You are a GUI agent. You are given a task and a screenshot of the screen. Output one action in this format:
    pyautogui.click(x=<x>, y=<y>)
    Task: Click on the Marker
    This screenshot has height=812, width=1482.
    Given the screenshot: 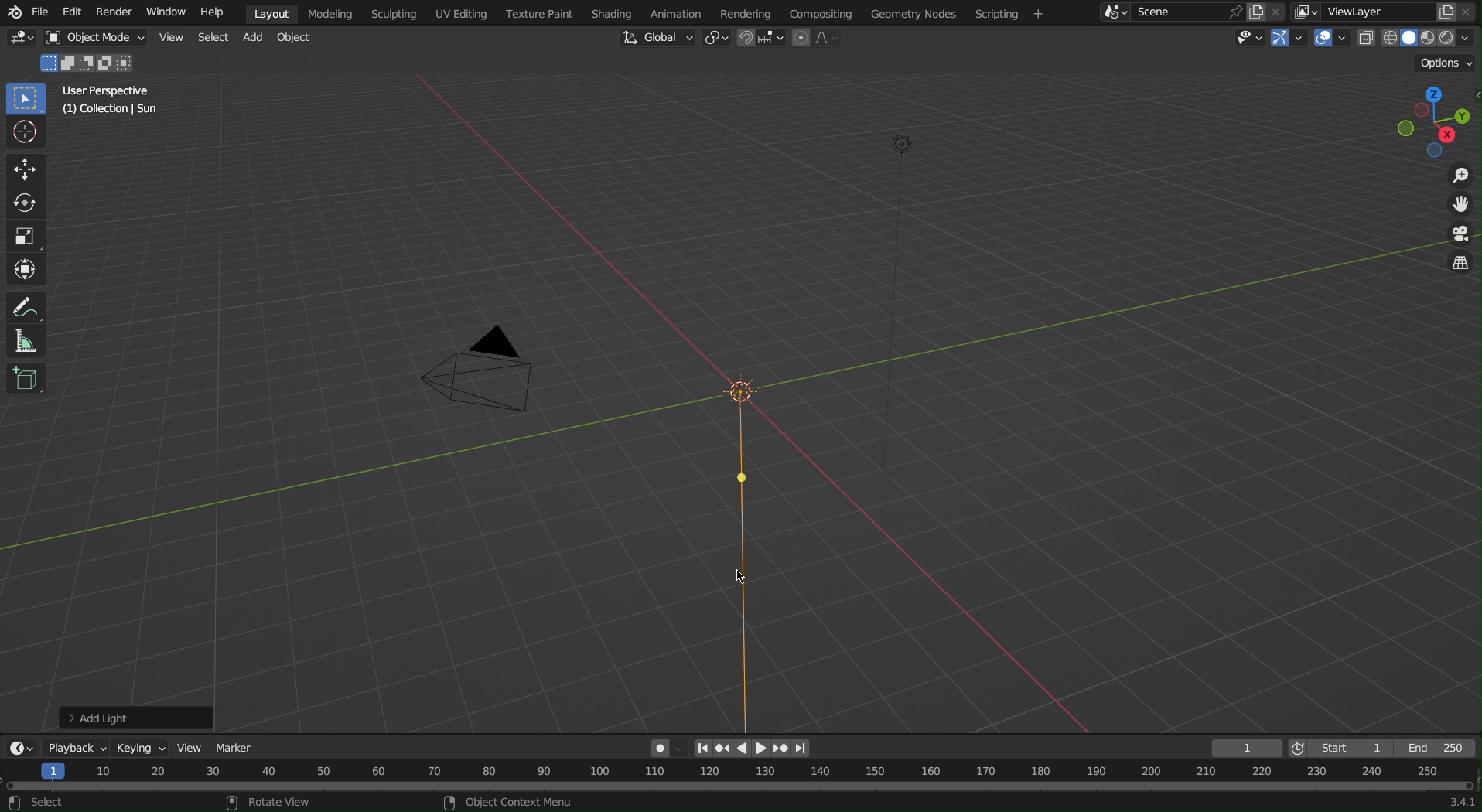 What is the action you would take?
    pyautogui.click(x=237, y=747)
    